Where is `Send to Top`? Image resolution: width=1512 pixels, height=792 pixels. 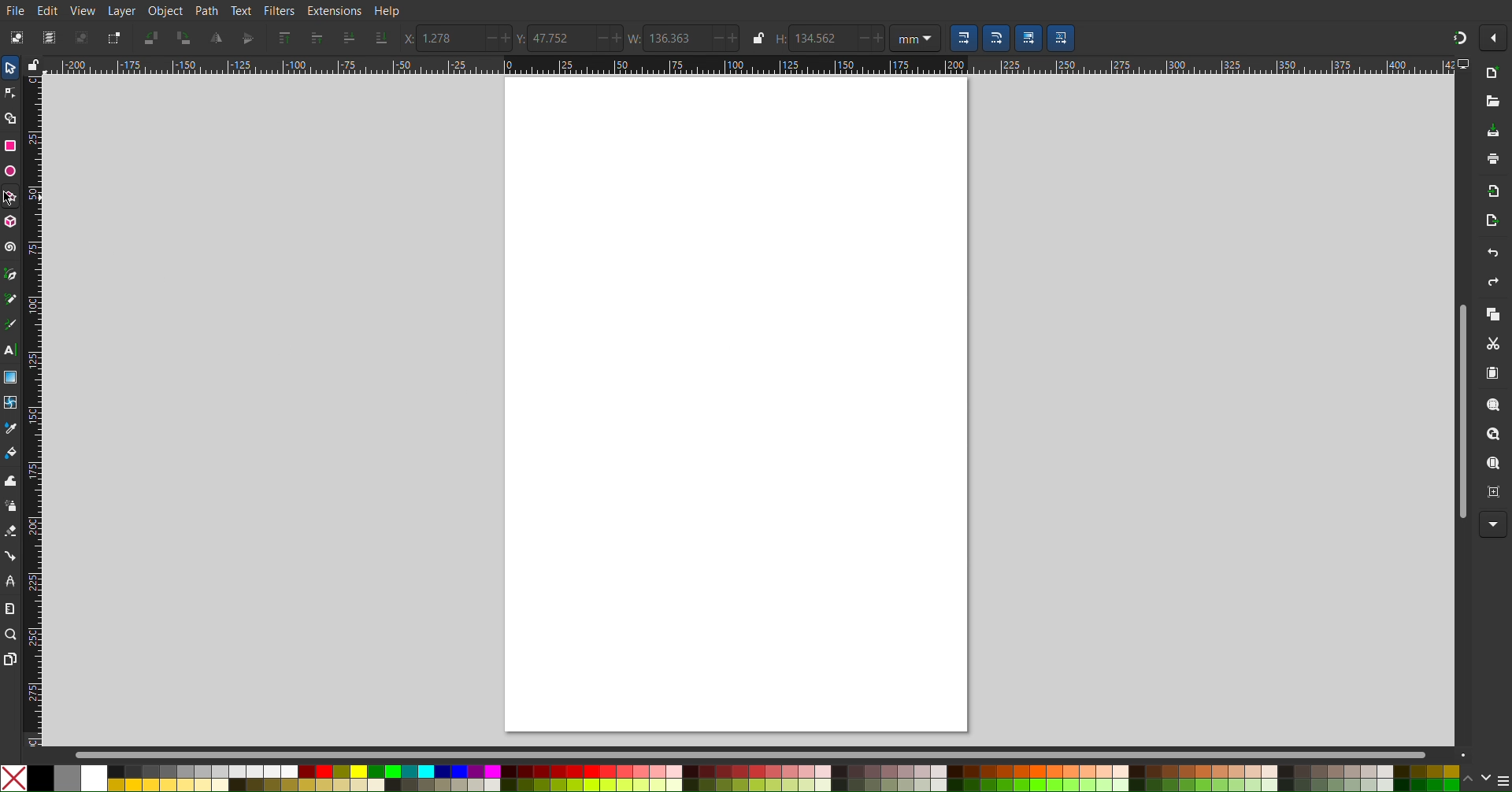
Send to Top is located at coordinates (284, 39).